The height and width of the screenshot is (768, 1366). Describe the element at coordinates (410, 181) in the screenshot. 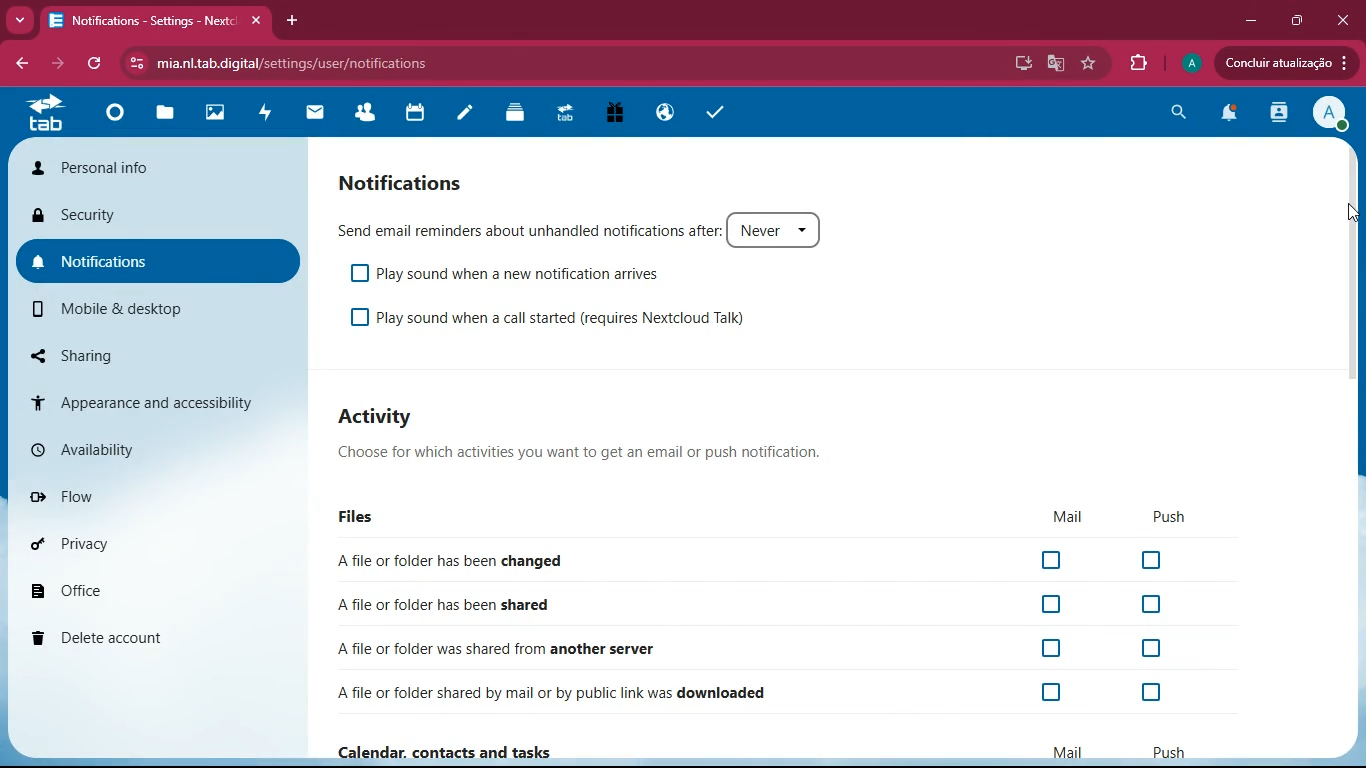

I see `notifications` at that location.